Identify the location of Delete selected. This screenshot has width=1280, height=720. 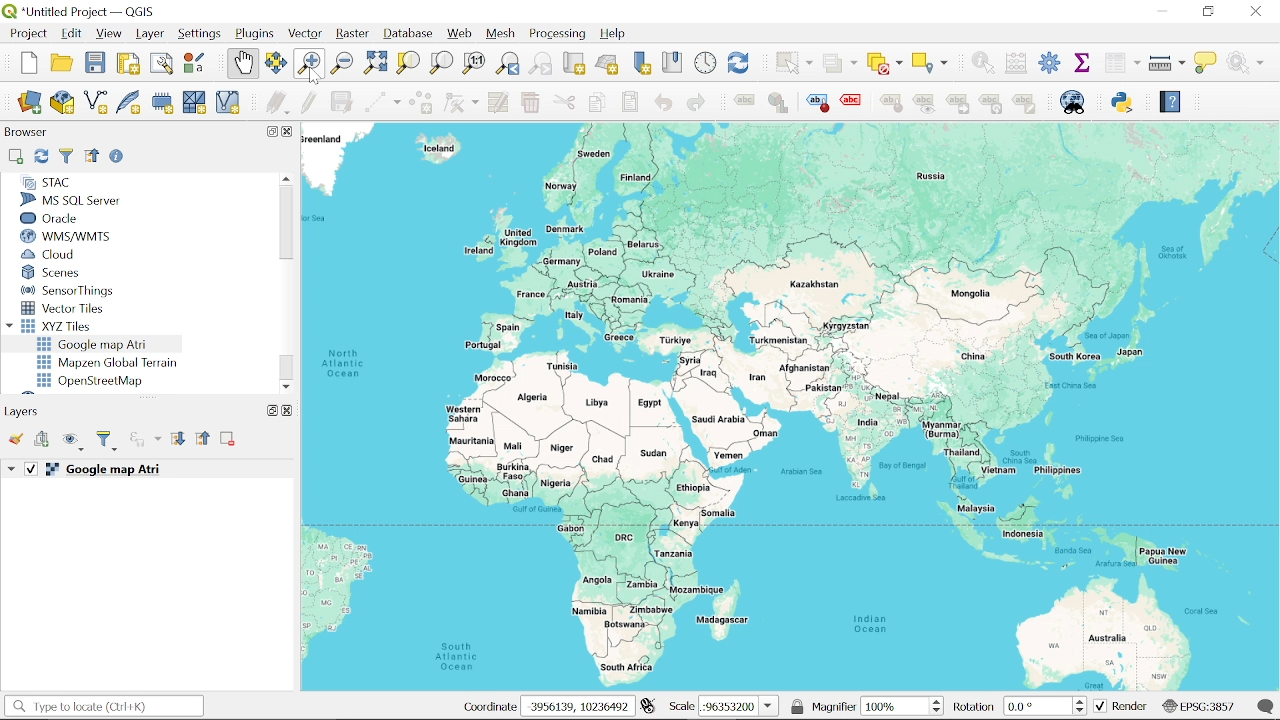
(529, 104).